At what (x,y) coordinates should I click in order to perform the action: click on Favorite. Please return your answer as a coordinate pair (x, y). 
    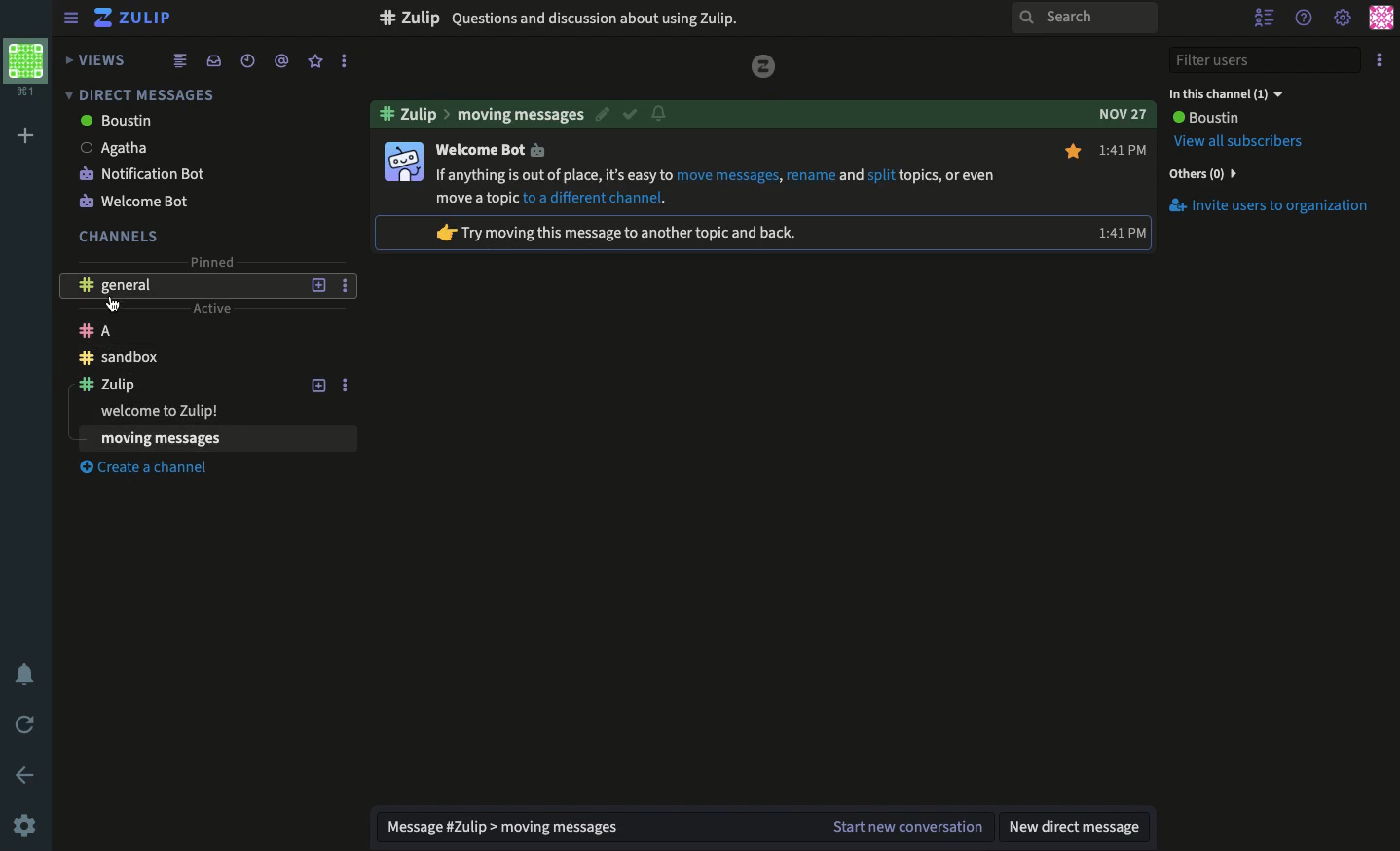
    Looking at the image, I should click on (316, 60).